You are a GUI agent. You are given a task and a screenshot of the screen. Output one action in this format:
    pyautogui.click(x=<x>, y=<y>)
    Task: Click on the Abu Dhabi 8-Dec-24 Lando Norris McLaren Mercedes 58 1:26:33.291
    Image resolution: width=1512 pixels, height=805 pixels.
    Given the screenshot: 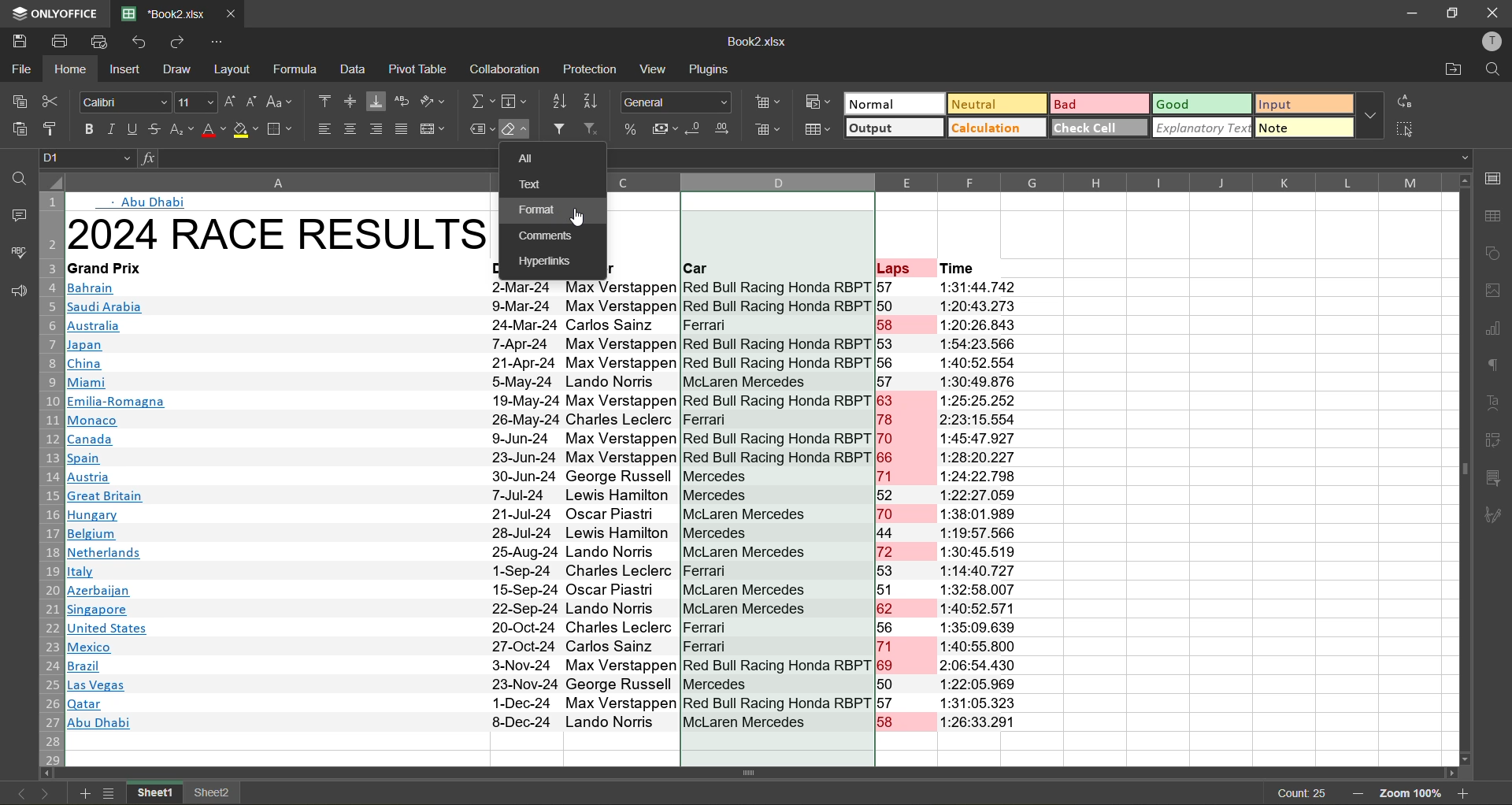 What is the action you would take?
    pyautogui.click(x=548, y=723)
    